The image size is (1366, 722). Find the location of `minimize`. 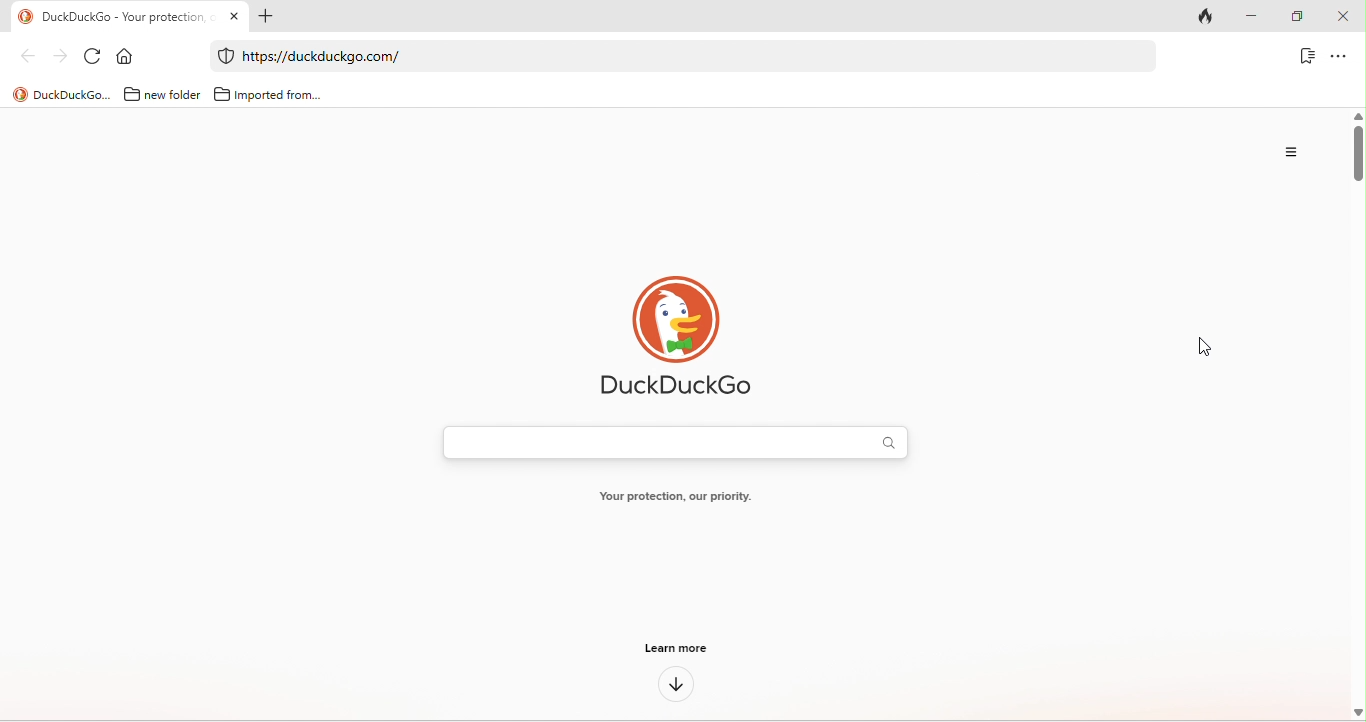

minimize is located at coordinates (1260, 17).